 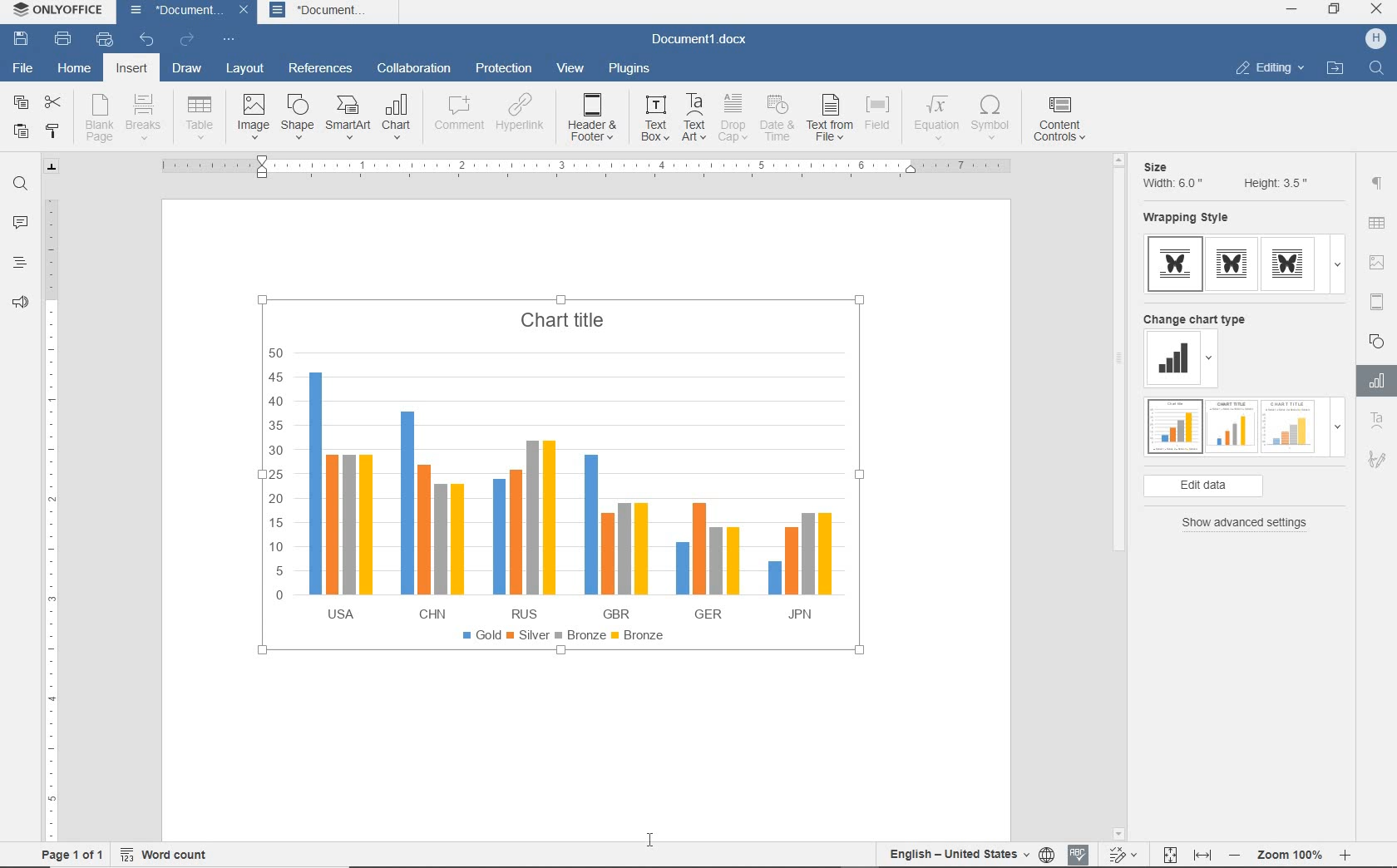 I want to click on table, so click(x=1378, y=224).